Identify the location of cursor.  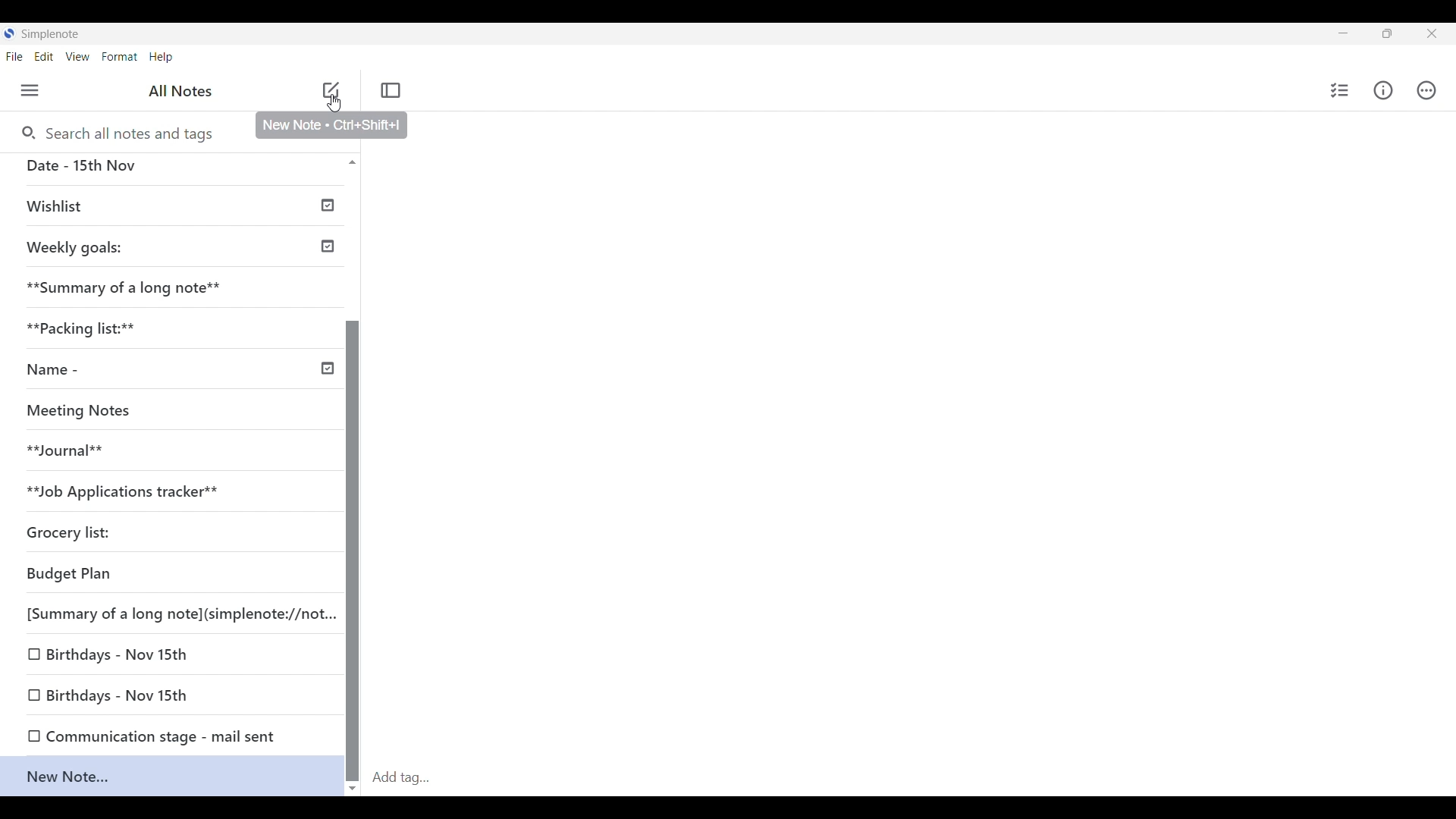
(332, 107).